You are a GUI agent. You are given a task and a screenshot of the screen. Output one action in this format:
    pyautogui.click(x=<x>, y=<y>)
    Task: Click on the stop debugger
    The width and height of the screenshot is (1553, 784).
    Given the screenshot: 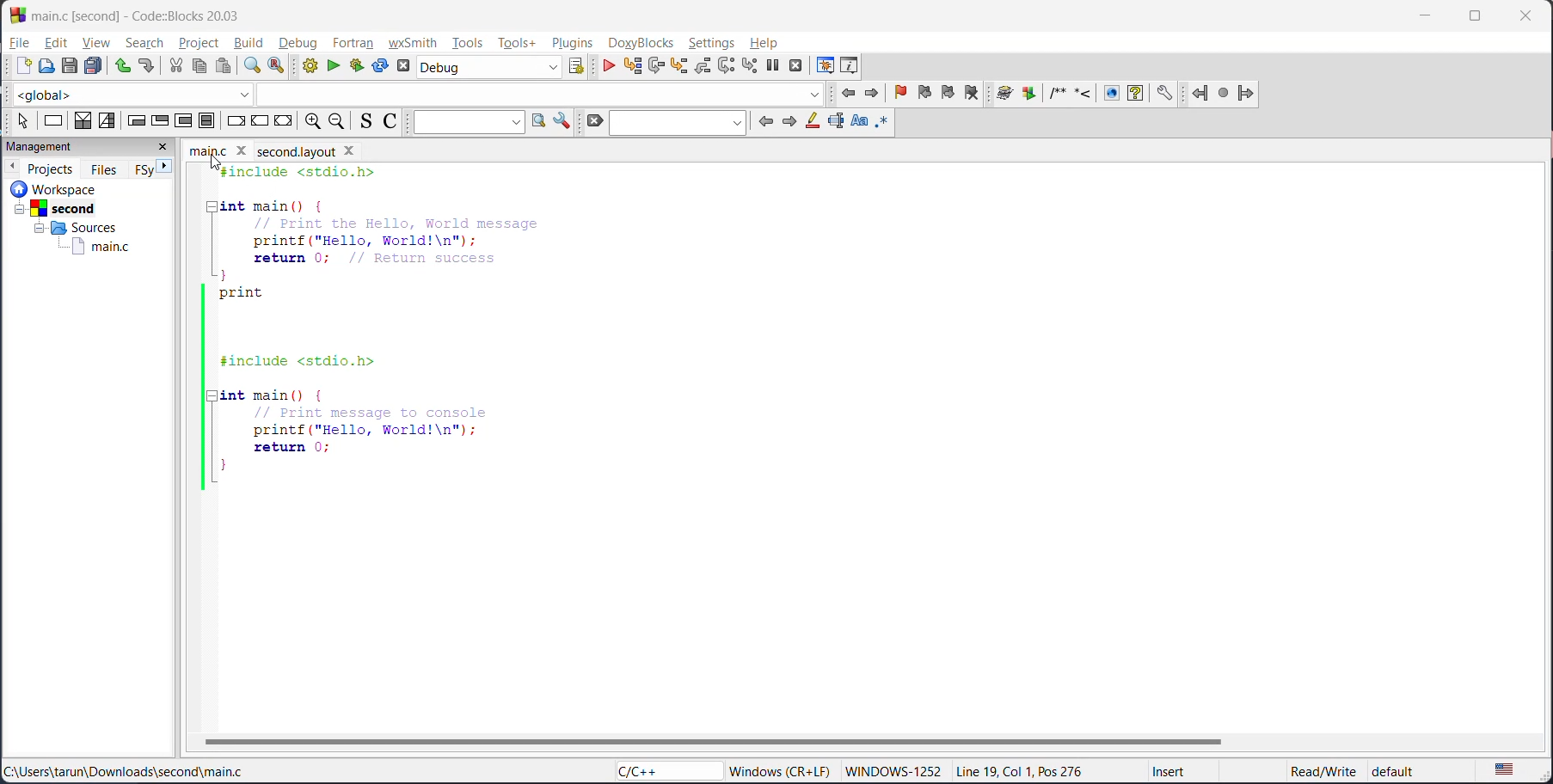 What is the action you would take?
    pyautogui.click(x=796, y=67)
    